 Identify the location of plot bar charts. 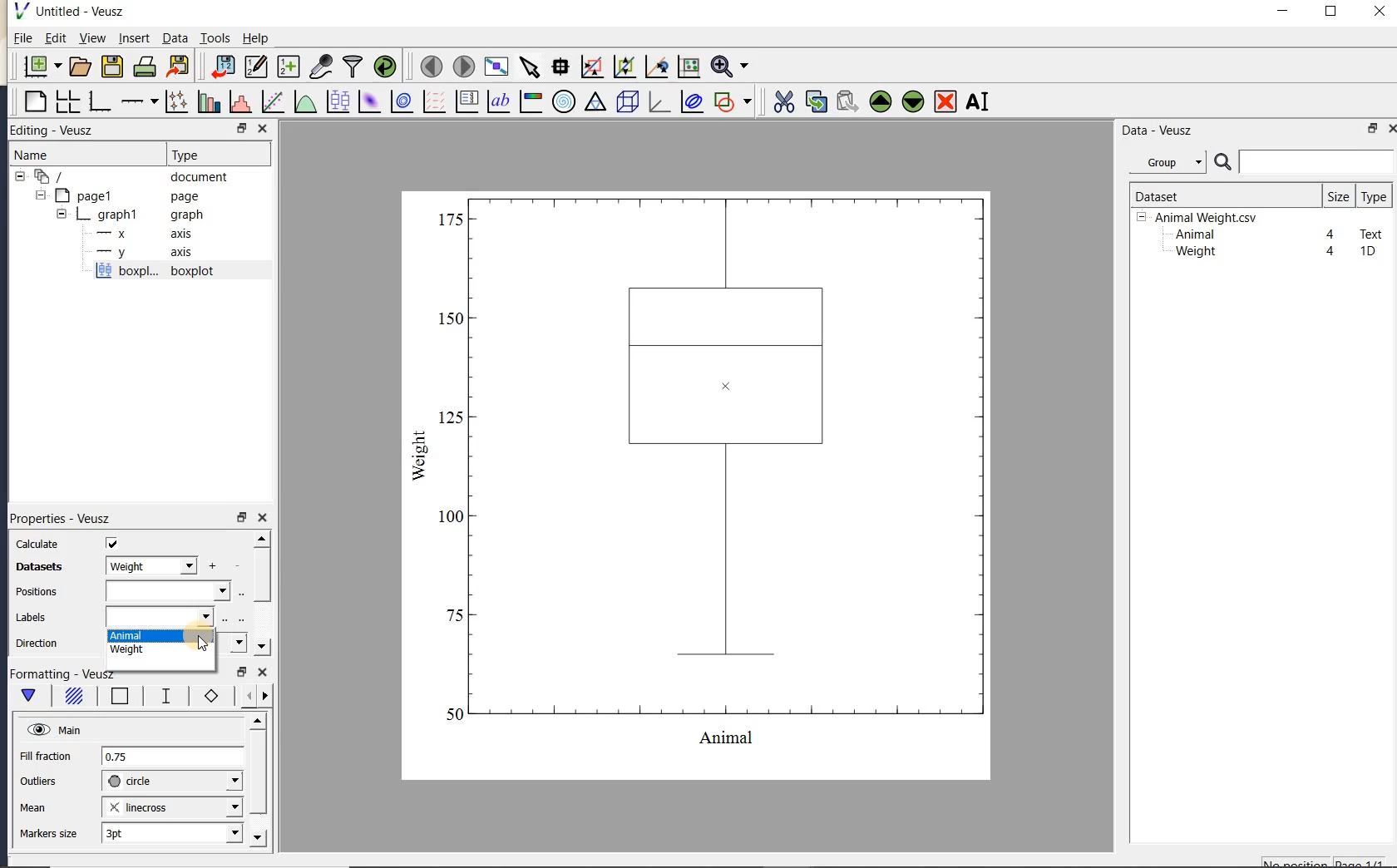
(209, 101).